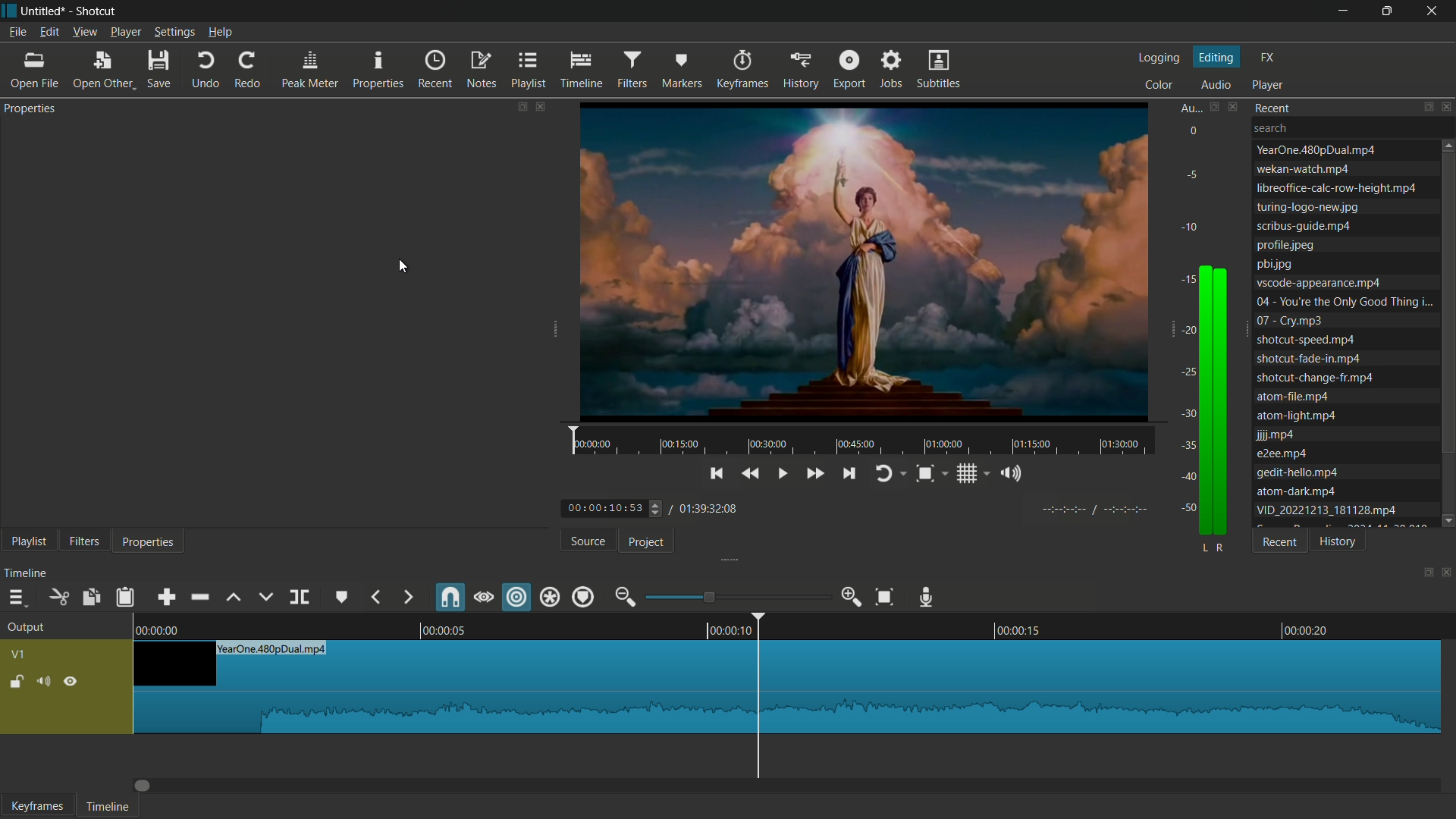  I want to click on player menu, so click(125, 33).